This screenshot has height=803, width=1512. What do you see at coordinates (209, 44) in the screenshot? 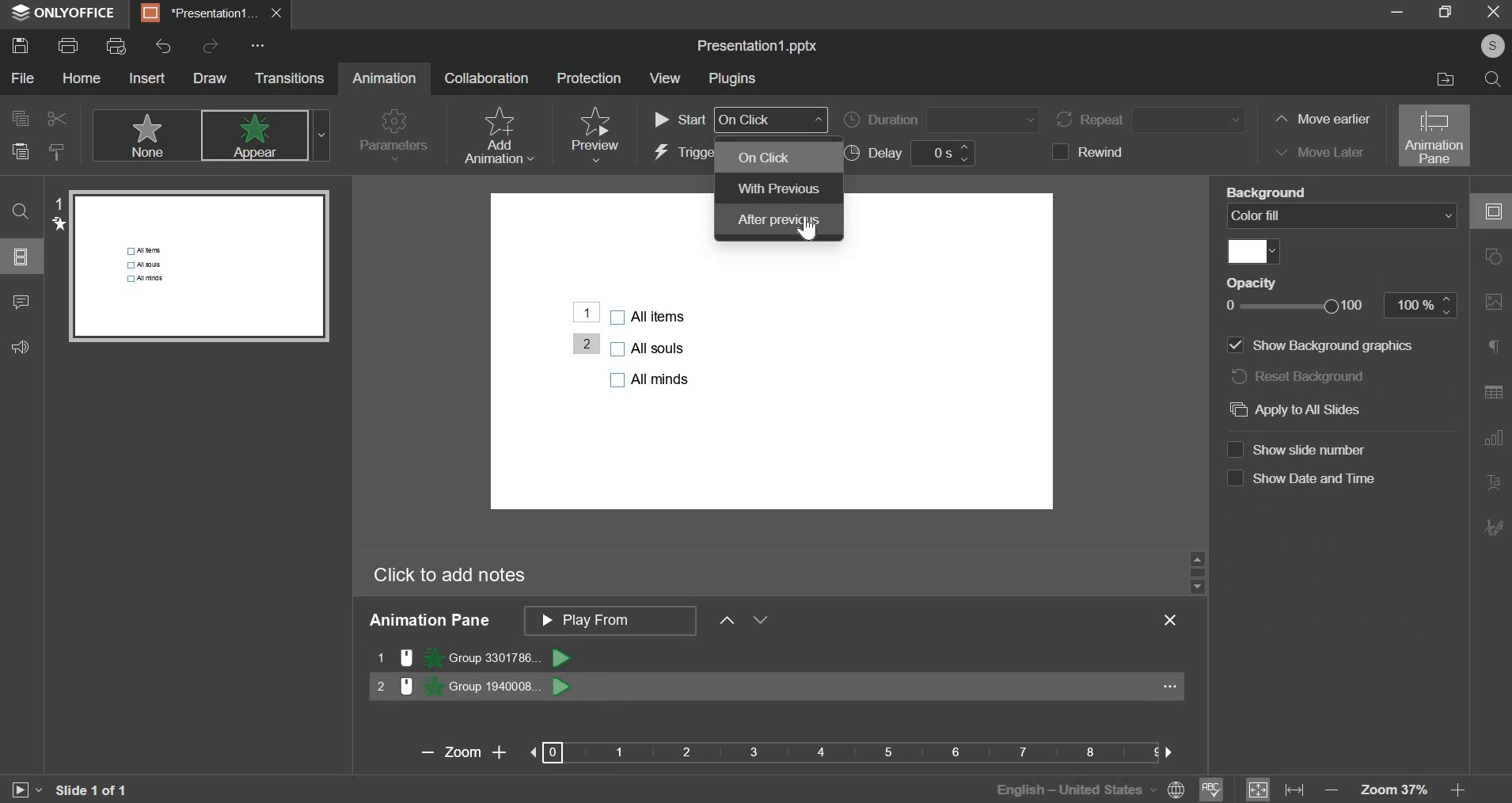
I see `redo` at bounding box center [209, 44].